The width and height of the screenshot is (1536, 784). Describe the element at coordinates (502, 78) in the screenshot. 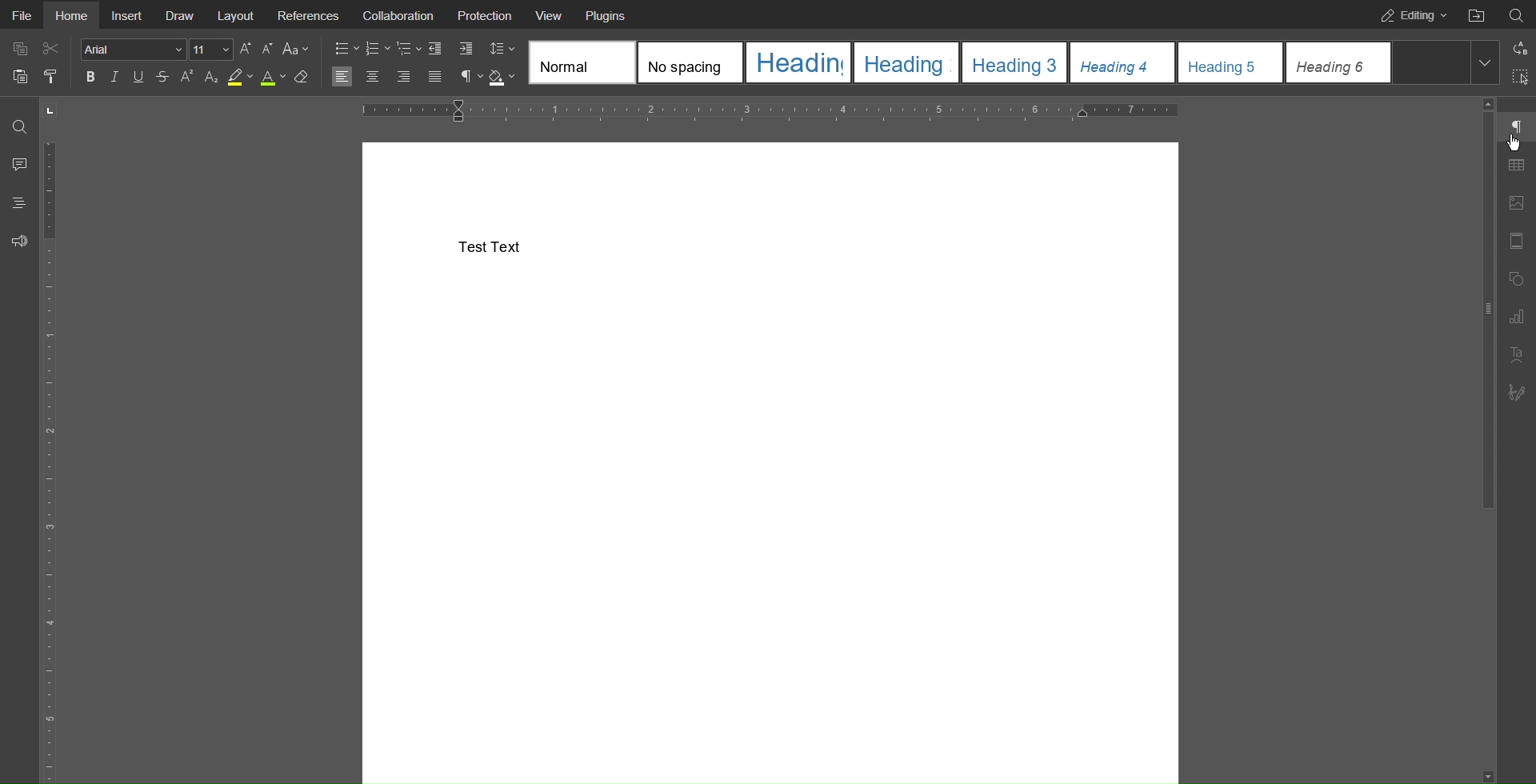

I see `Fill Color` at that location.